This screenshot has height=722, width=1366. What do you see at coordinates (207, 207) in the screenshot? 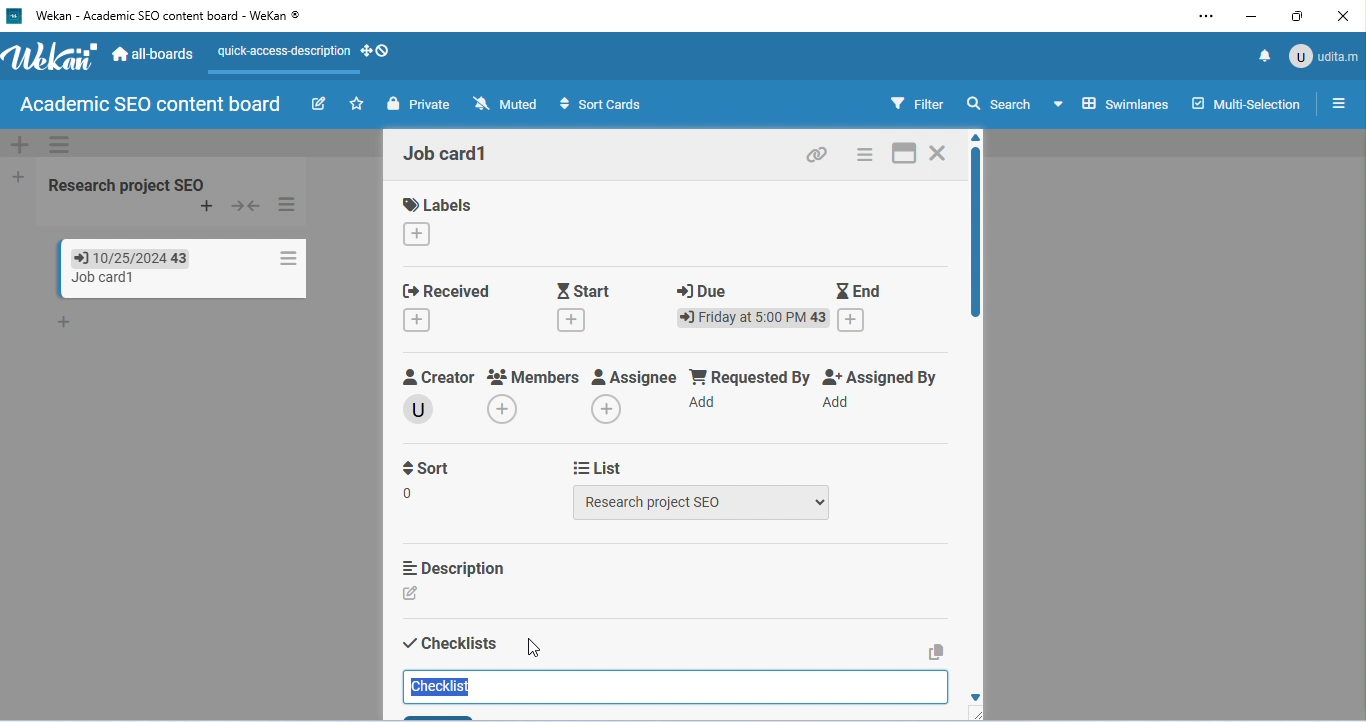
I see `add card to top of list` at bounding box center [207, 207].